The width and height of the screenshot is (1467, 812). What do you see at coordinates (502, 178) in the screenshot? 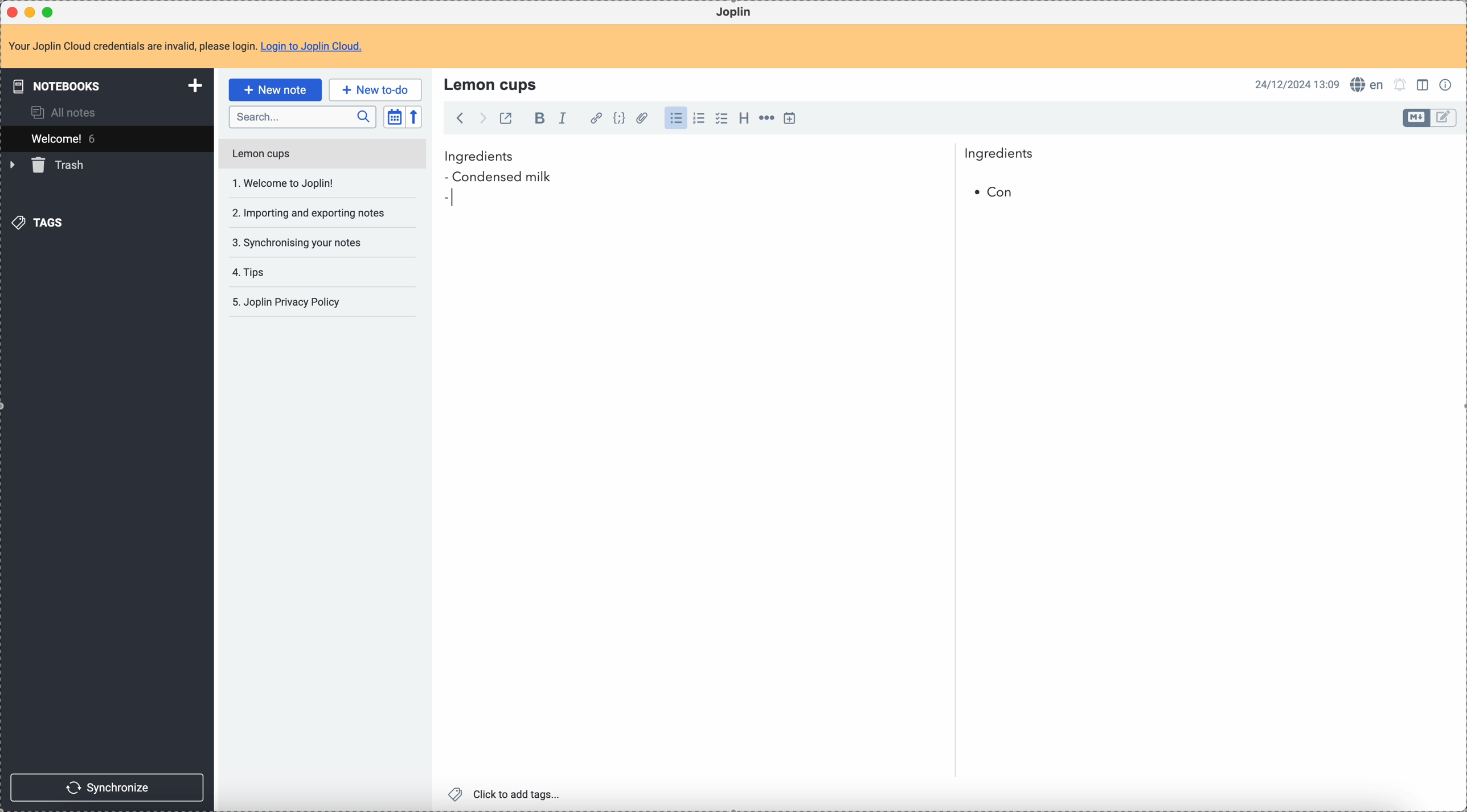
I see `condensed milk` at bounding box center [502, 178].